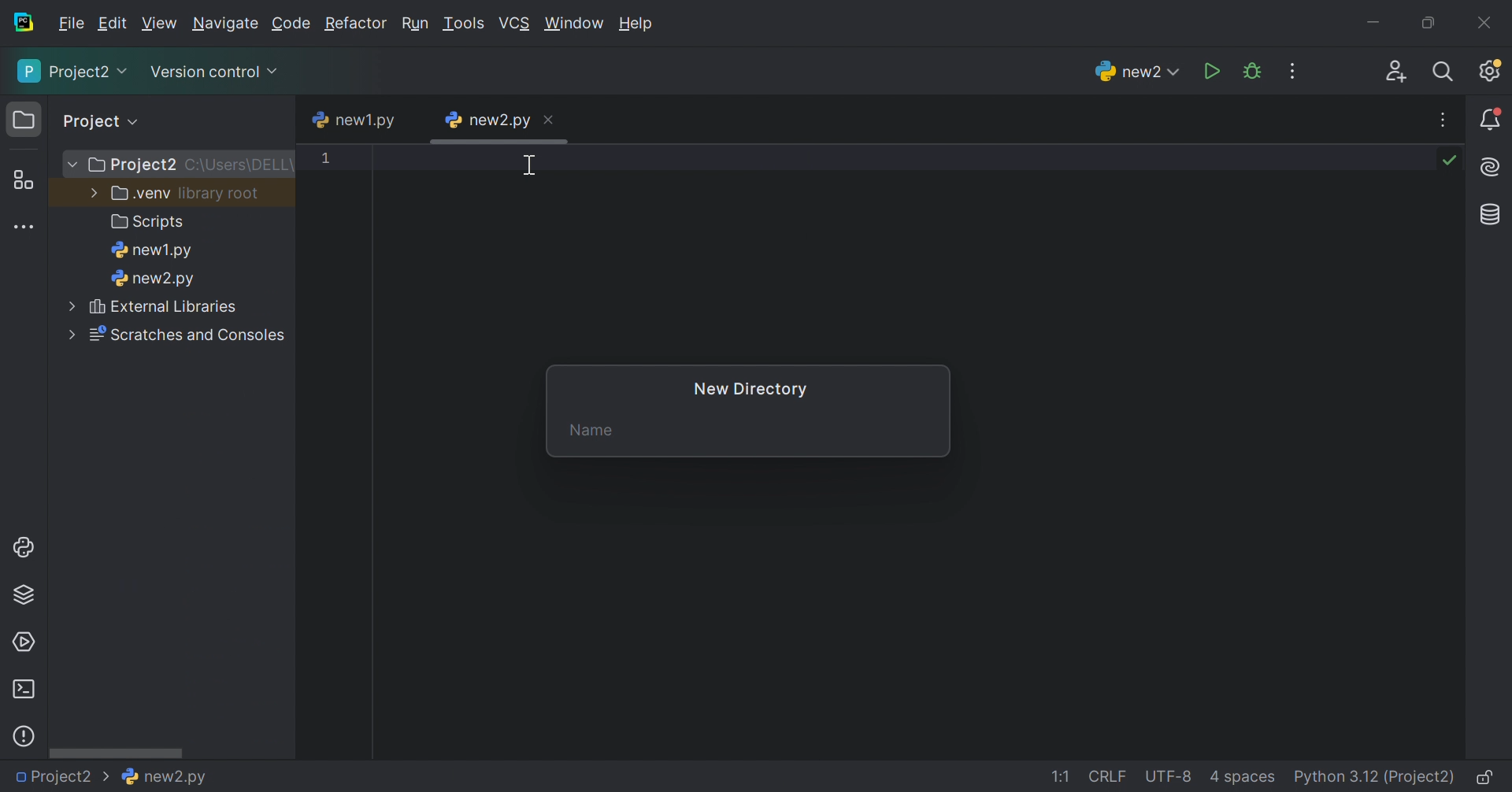 This screenshot has height=792, width=1512. Describe the element at coordinates (24, 597) in the screenshot. I see `Python Packages` at that location.